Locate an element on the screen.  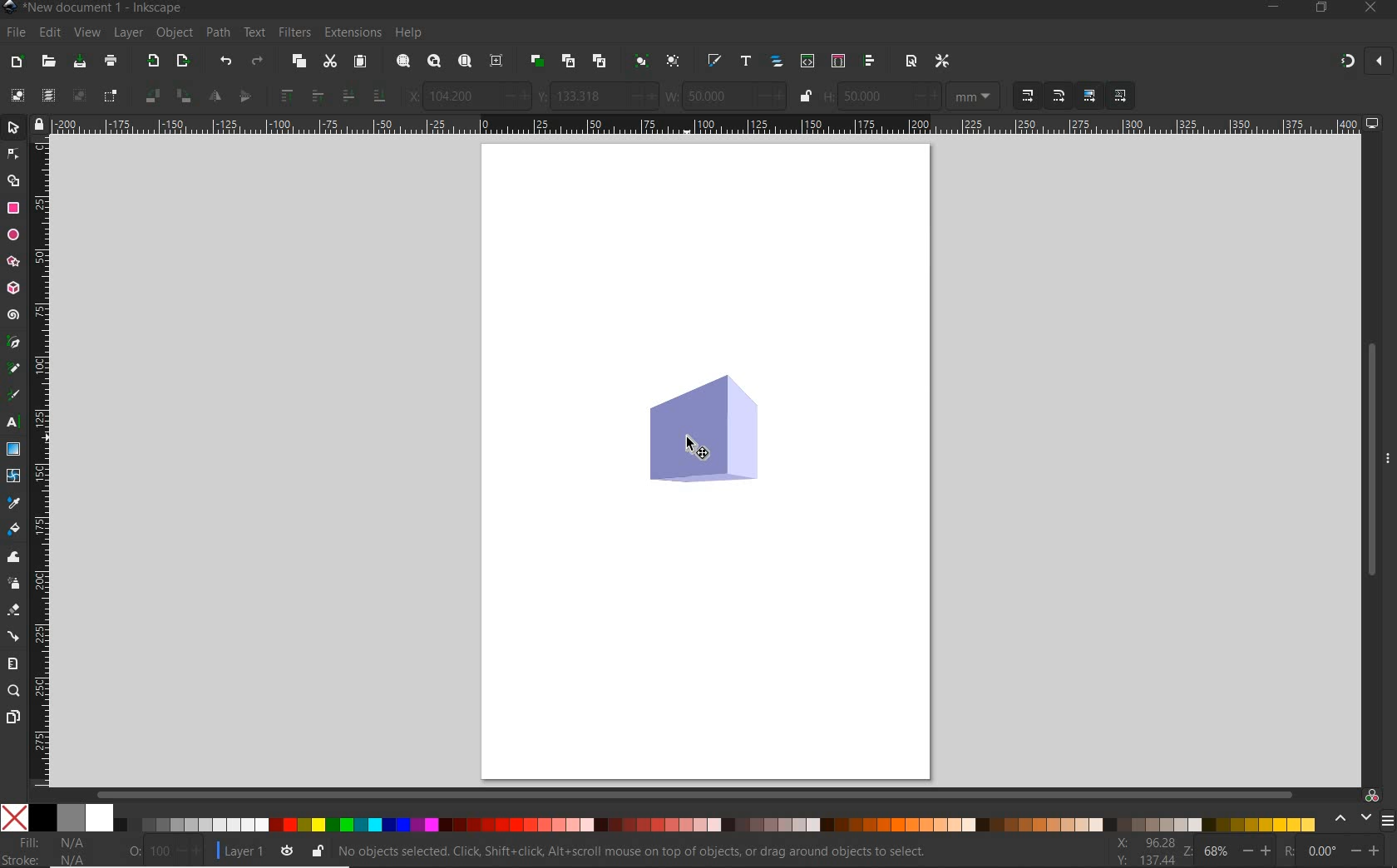
h is located at coordinates (828, 96).